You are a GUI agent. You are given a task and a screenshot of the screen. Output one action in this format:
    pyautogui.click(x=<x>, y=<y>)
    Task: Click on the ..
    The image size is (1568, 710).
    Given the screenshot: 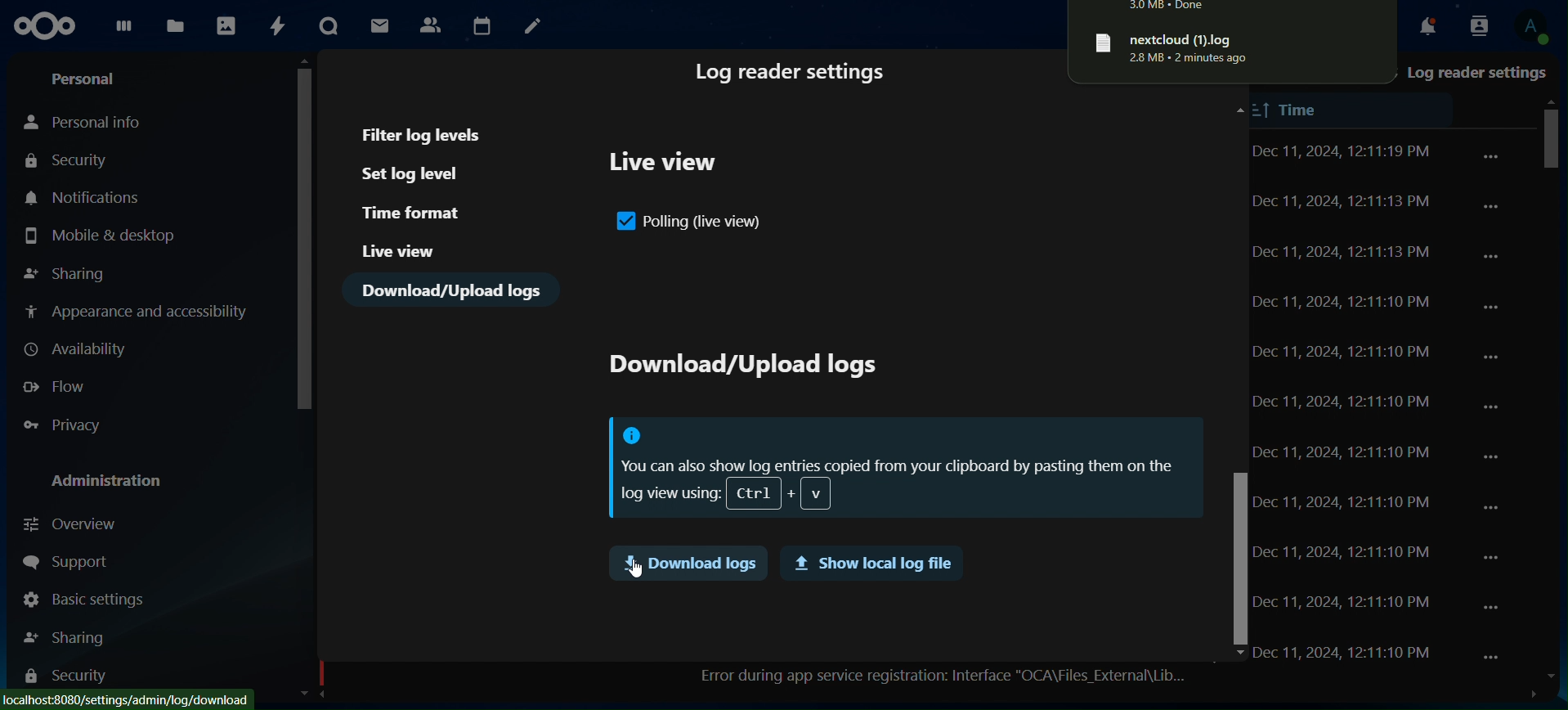 What is the action you would take?
    pyautogui.click(x=1491, y=156)
    